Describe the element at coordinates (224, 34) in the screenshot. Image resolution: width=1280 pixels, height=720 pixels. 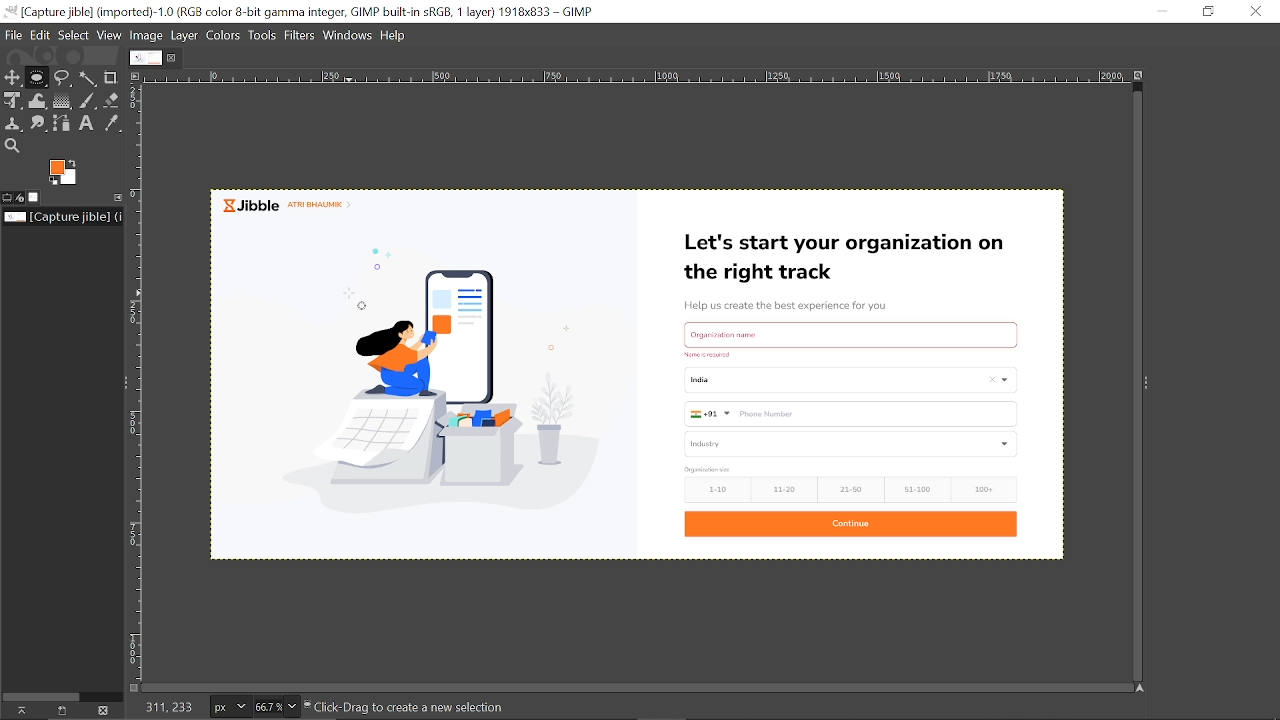
I see `Colors` at that location.